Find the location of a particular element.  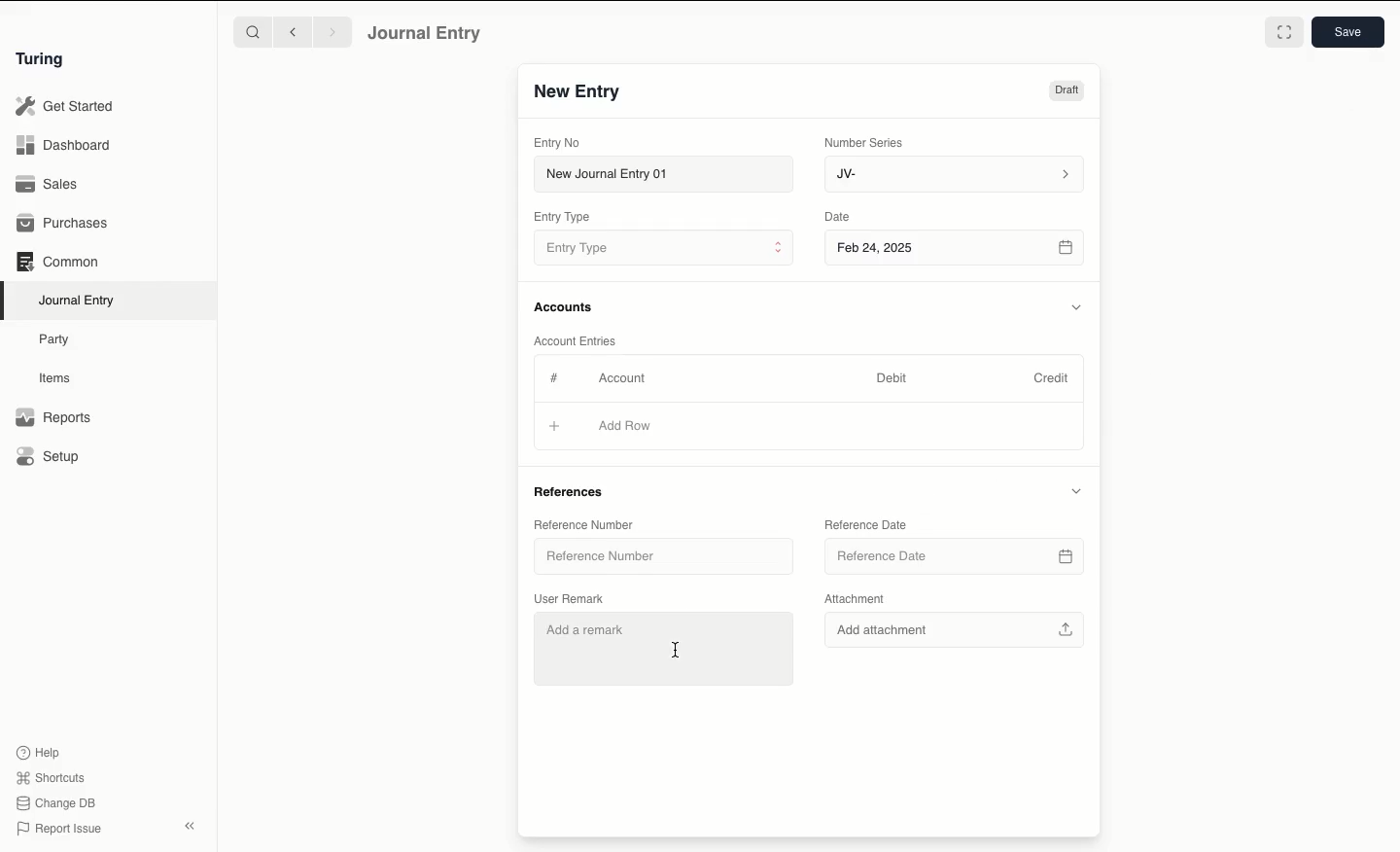

Change DB is located at coordinates (55, 803).